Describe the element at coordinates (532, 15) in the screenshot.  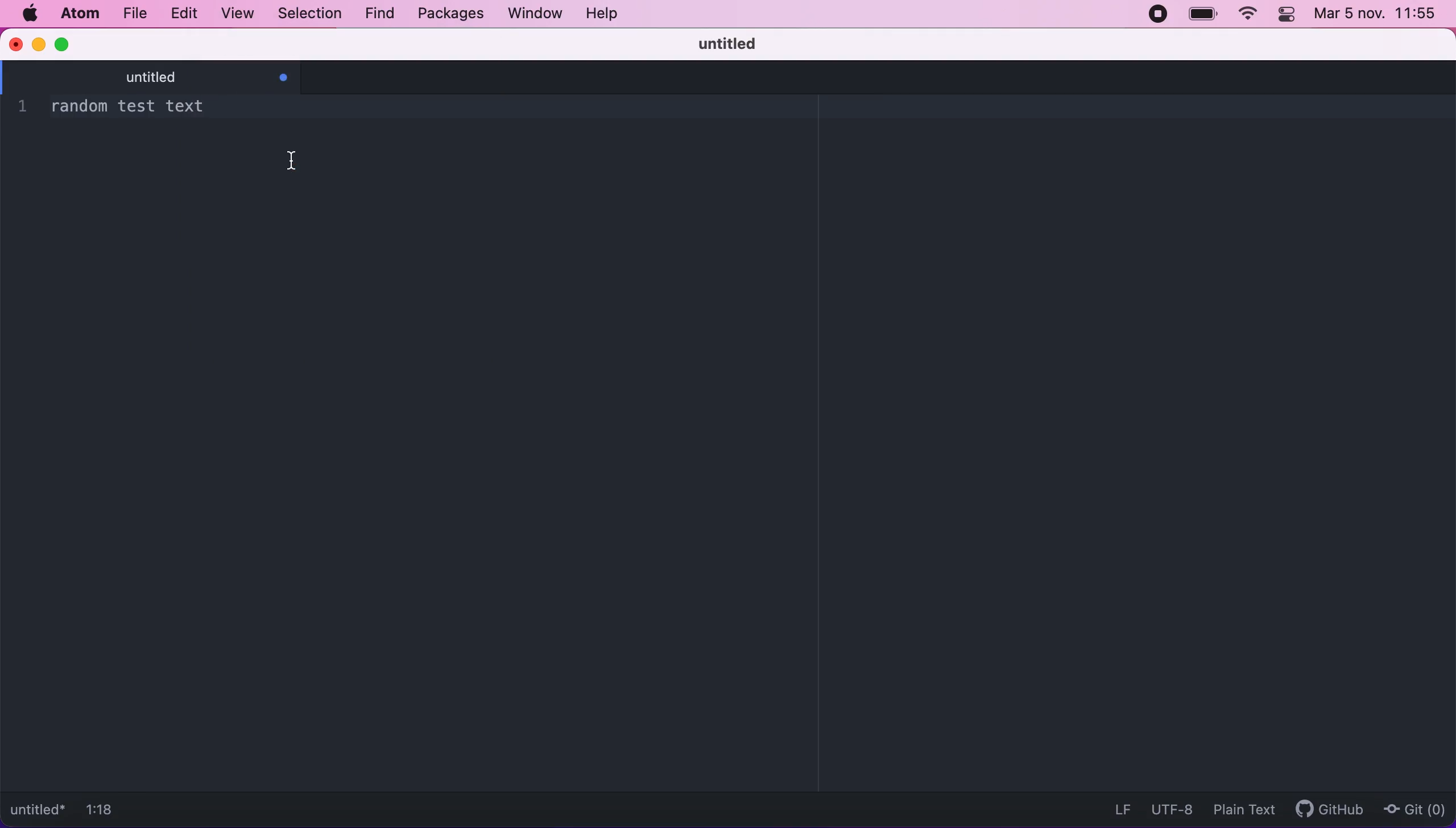
I see `window` at that location.